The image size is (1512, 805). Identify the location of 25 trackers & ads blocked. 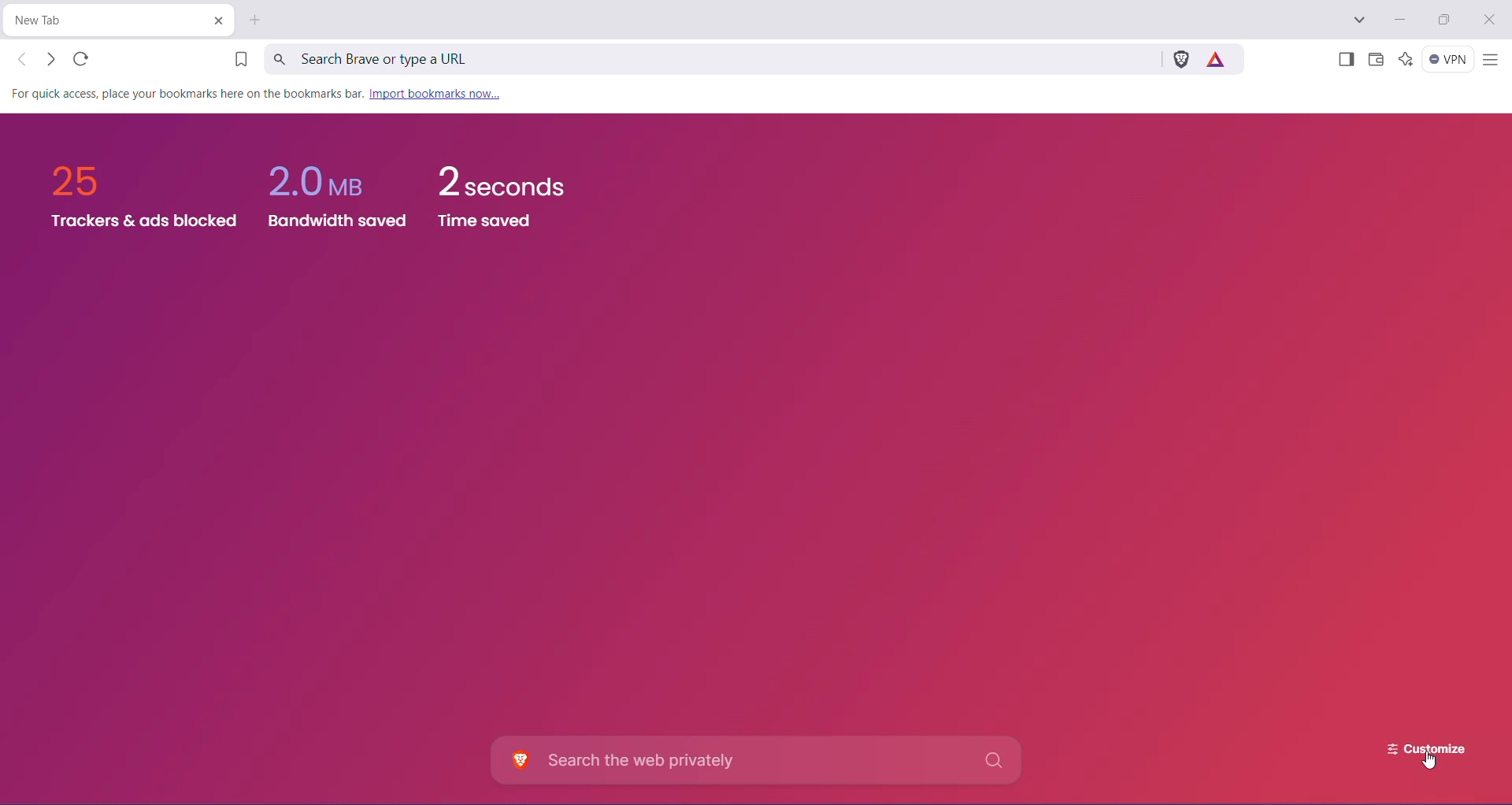
(134, 195).